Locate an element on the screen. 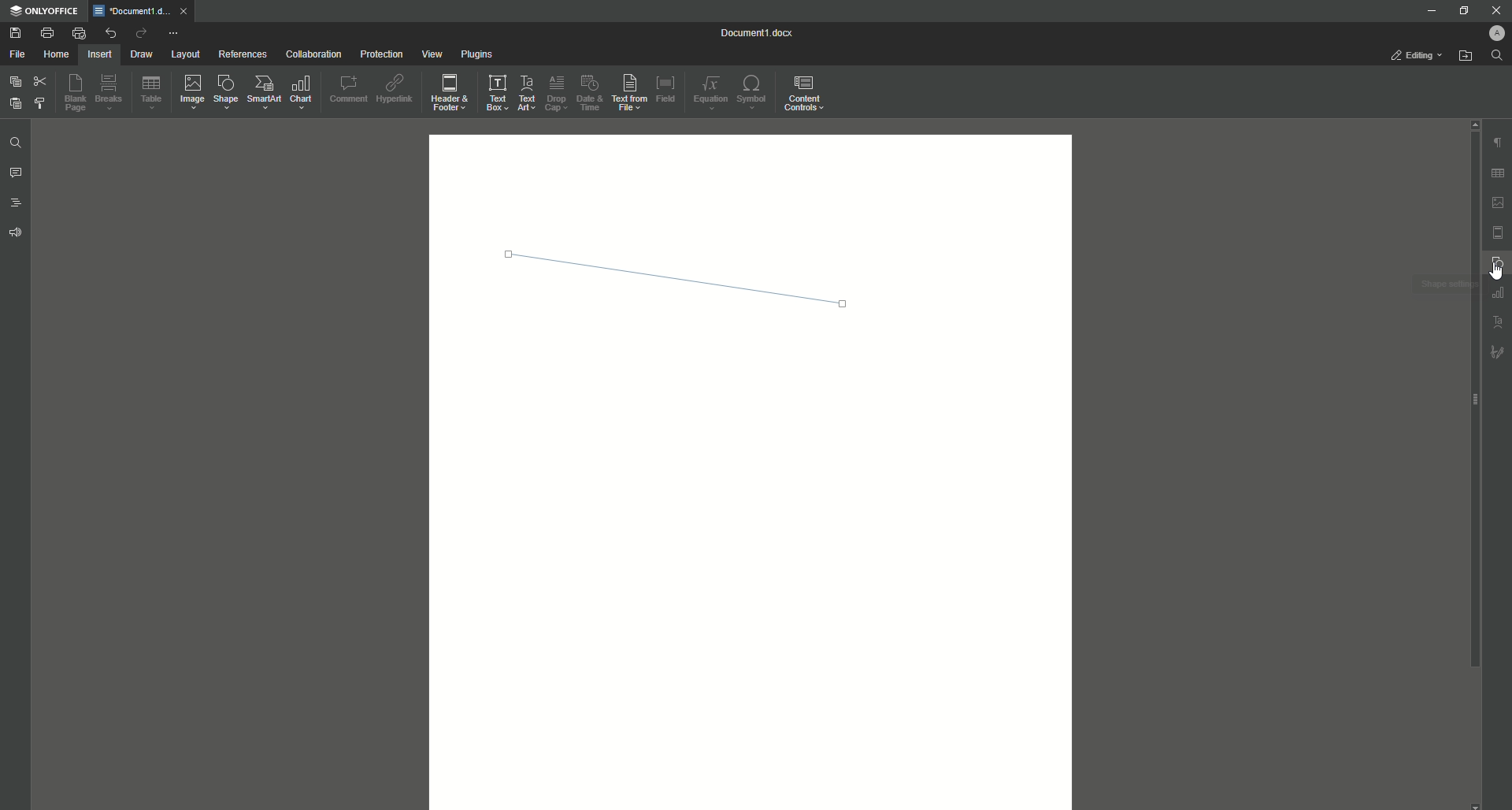  Content Controls is located at coordinates (806, 94).